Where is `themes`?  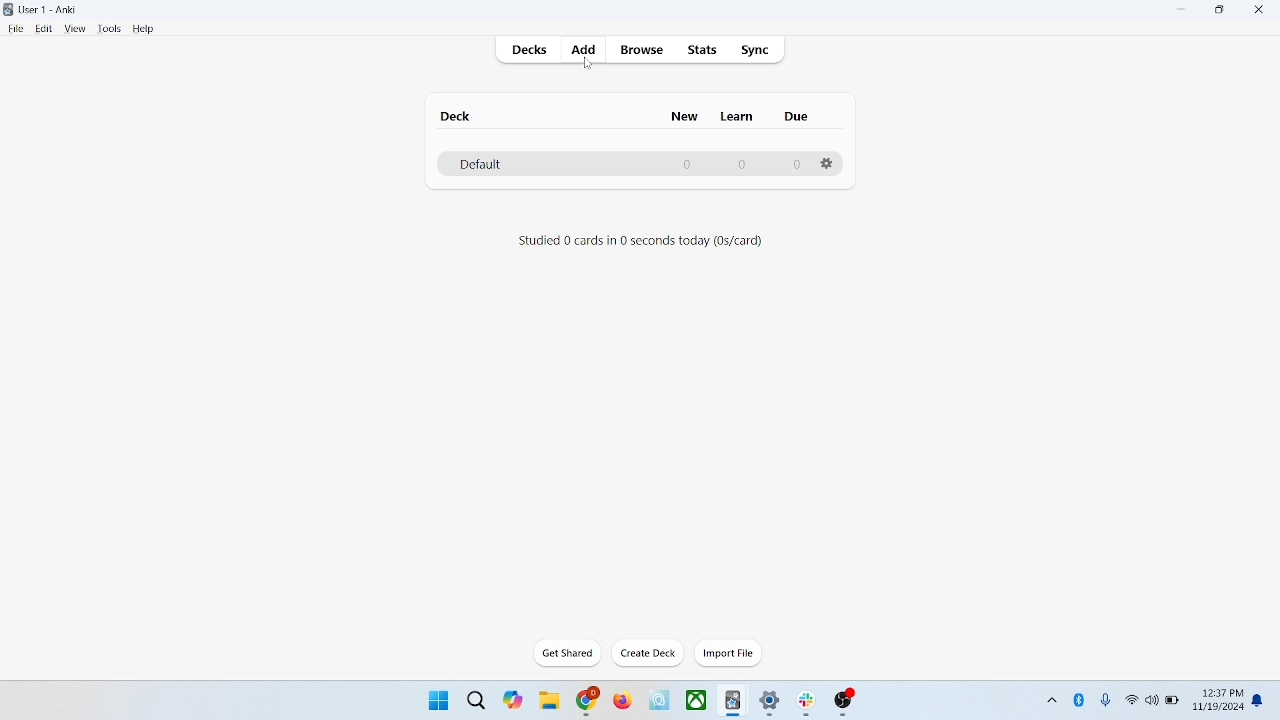 themes is located at coordinates (513, 700).